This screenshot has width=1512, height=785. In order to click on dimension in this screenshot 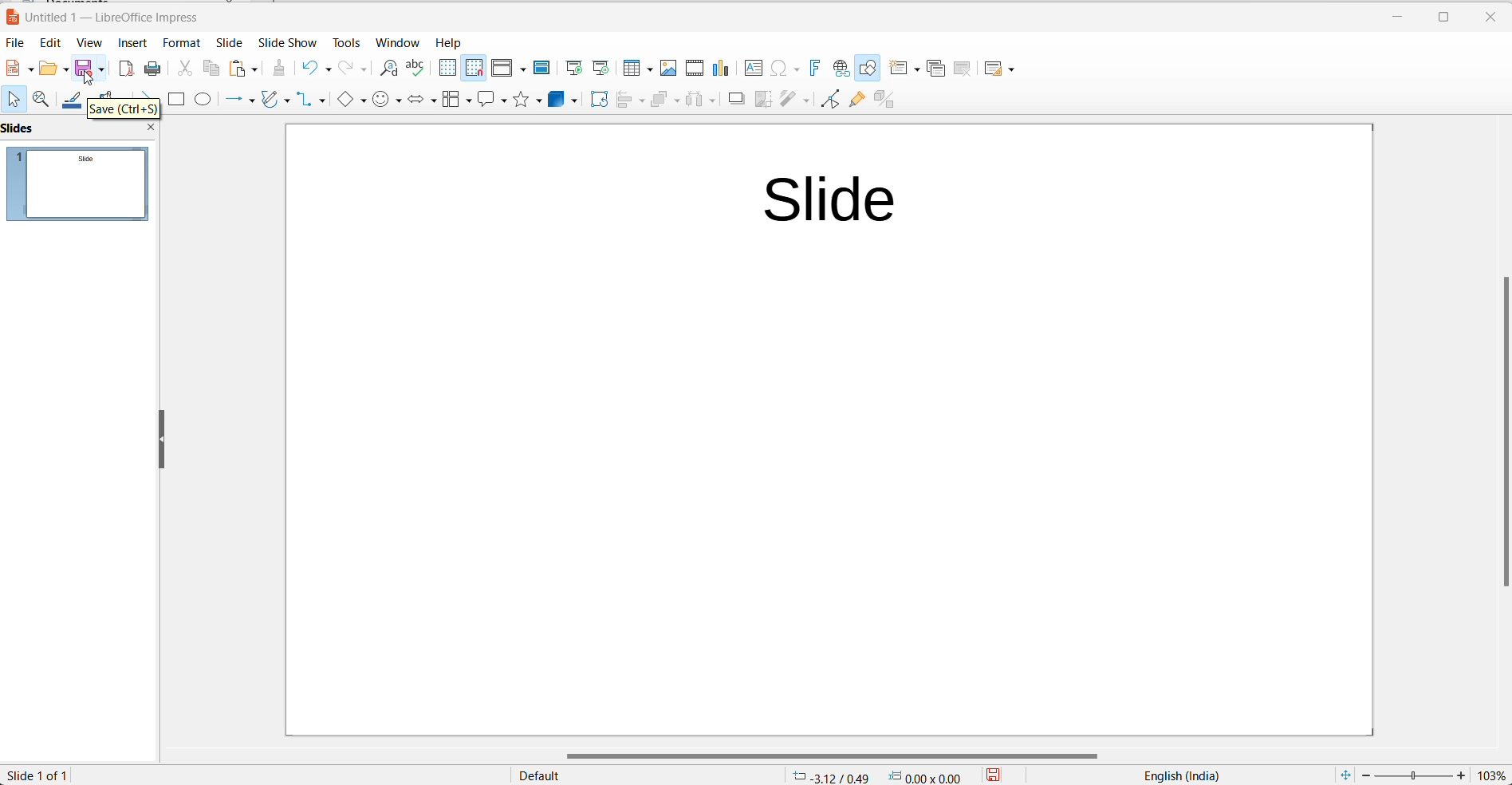, I will do `click(926, 775)`.